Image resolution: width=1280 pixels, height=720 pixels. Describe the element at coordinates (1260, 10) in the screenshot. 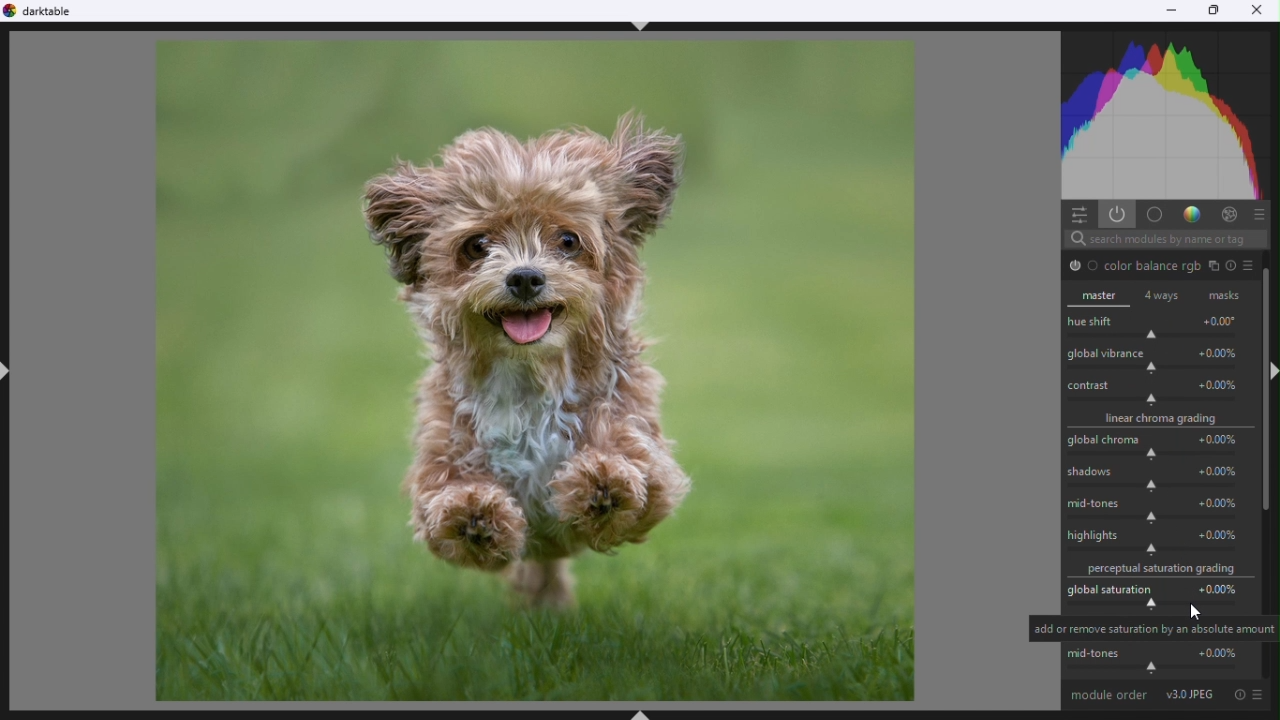

I see `Close close` at that location.